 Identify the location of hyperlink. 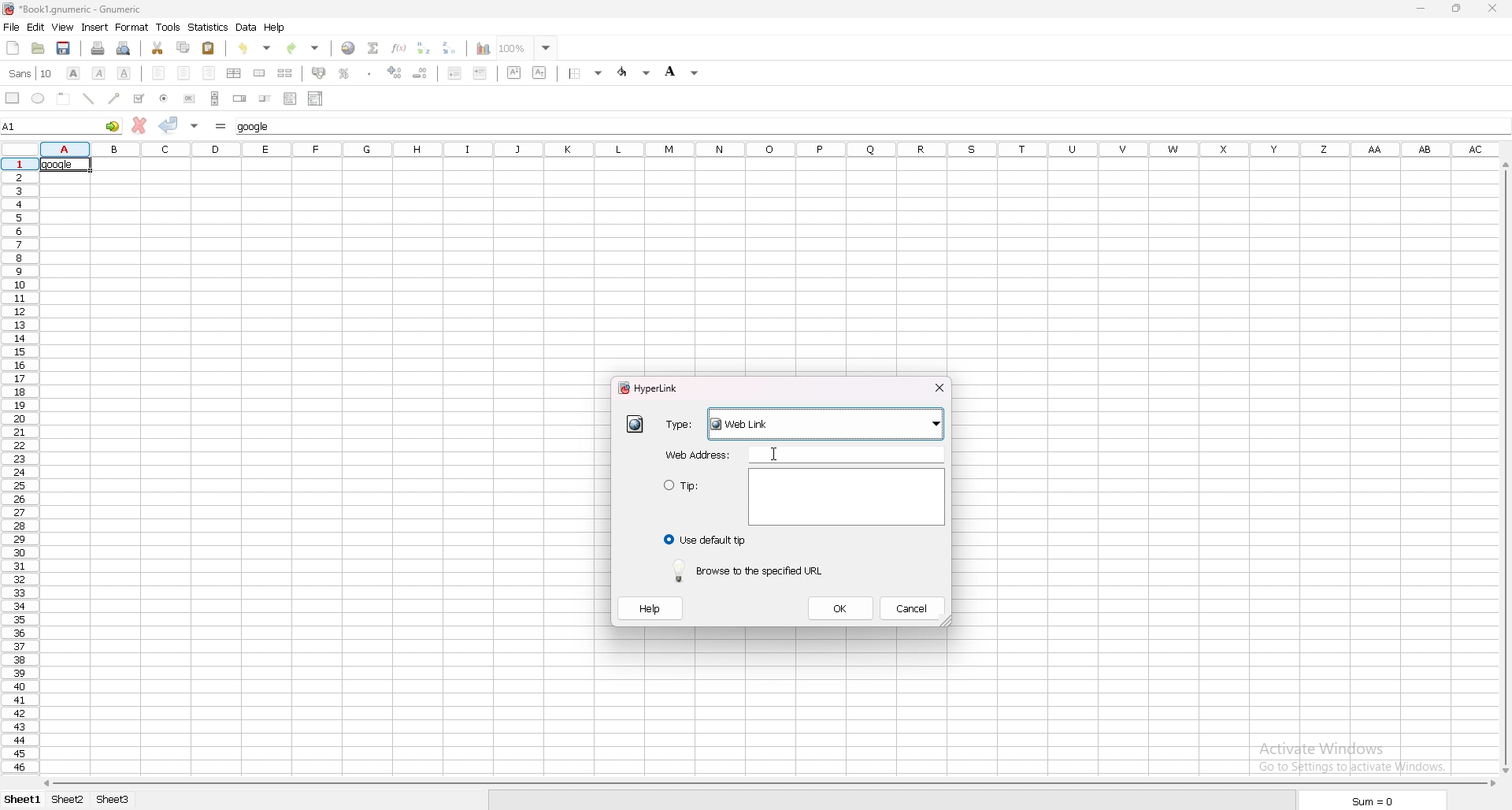
(653, 387).